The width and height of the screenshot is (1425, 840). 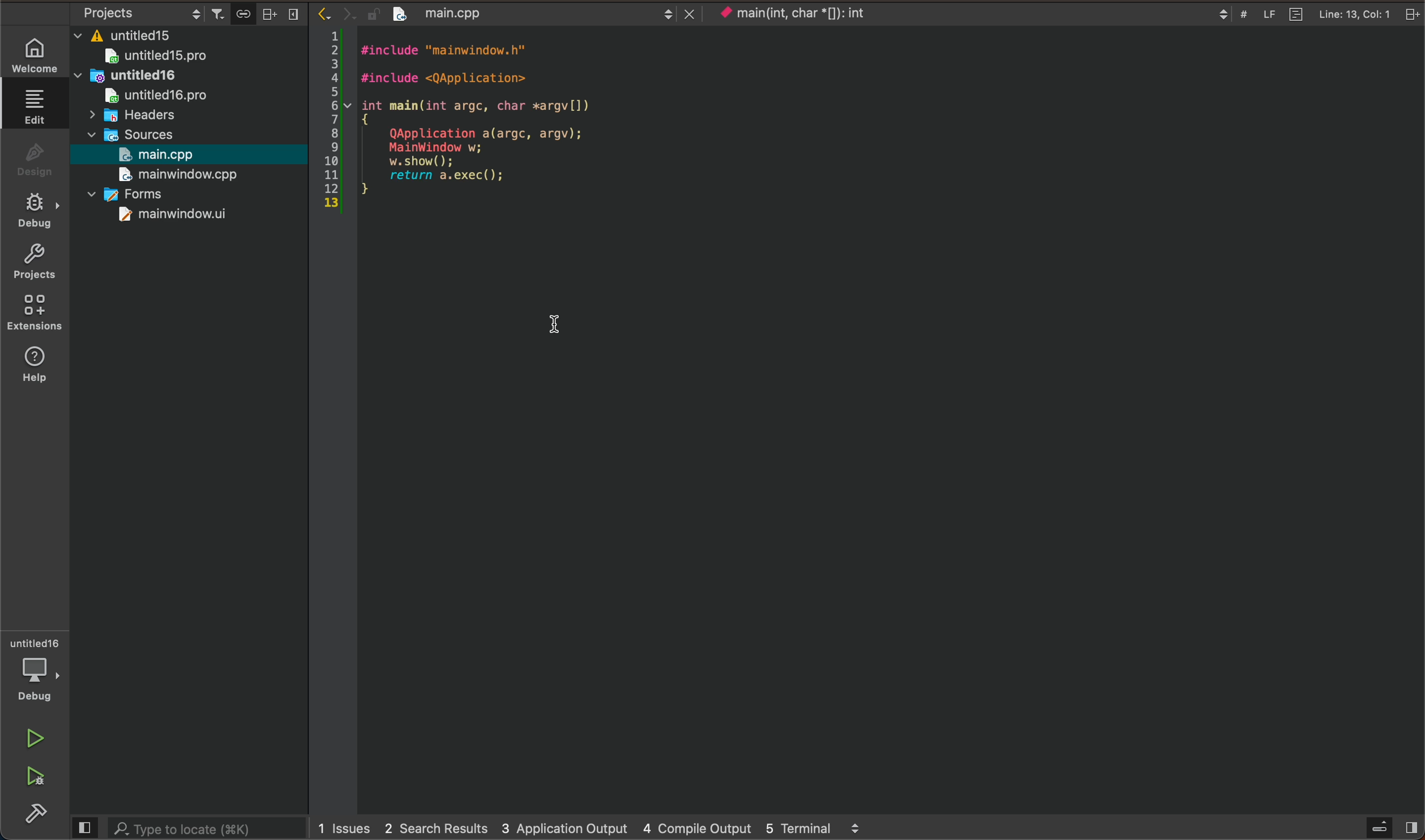 What do you see at coordinates (553, 312) in the screenshot?
I see `cursor` at bounding box center [553, 312].